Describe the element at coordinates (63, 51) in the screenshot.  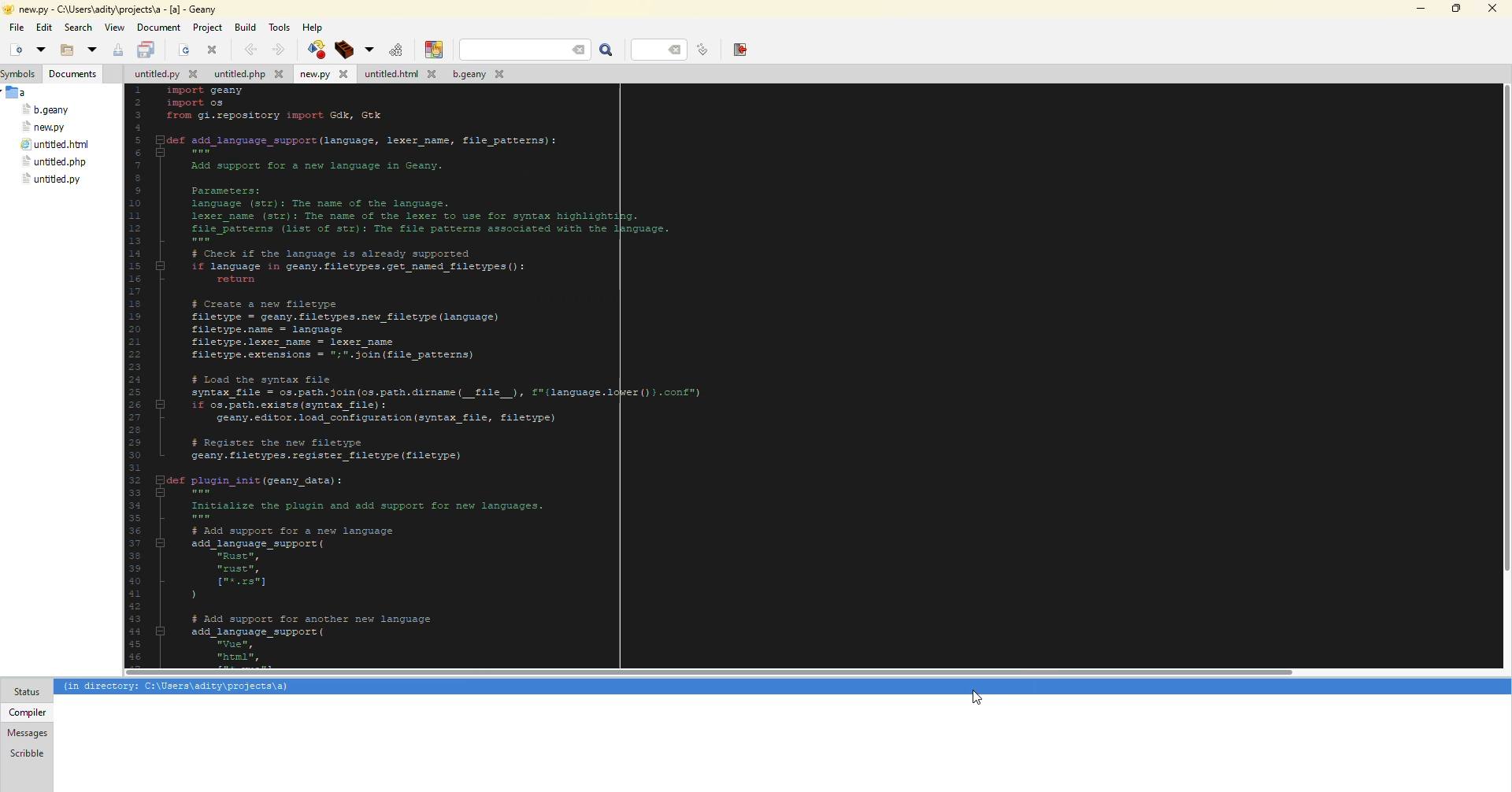
I see `open` at that location.